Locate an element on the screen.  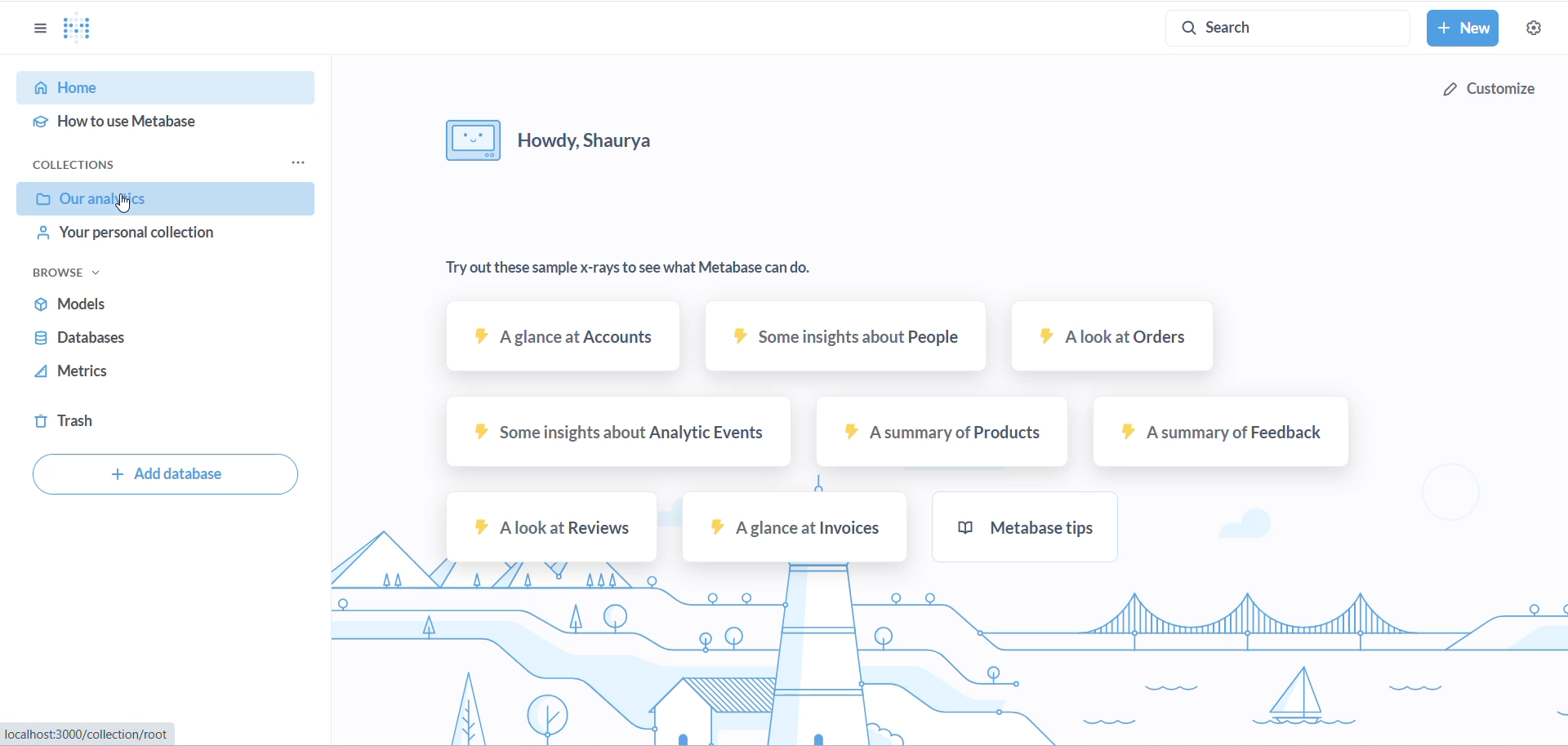
metabase logo is located at coordinates (77, 28).